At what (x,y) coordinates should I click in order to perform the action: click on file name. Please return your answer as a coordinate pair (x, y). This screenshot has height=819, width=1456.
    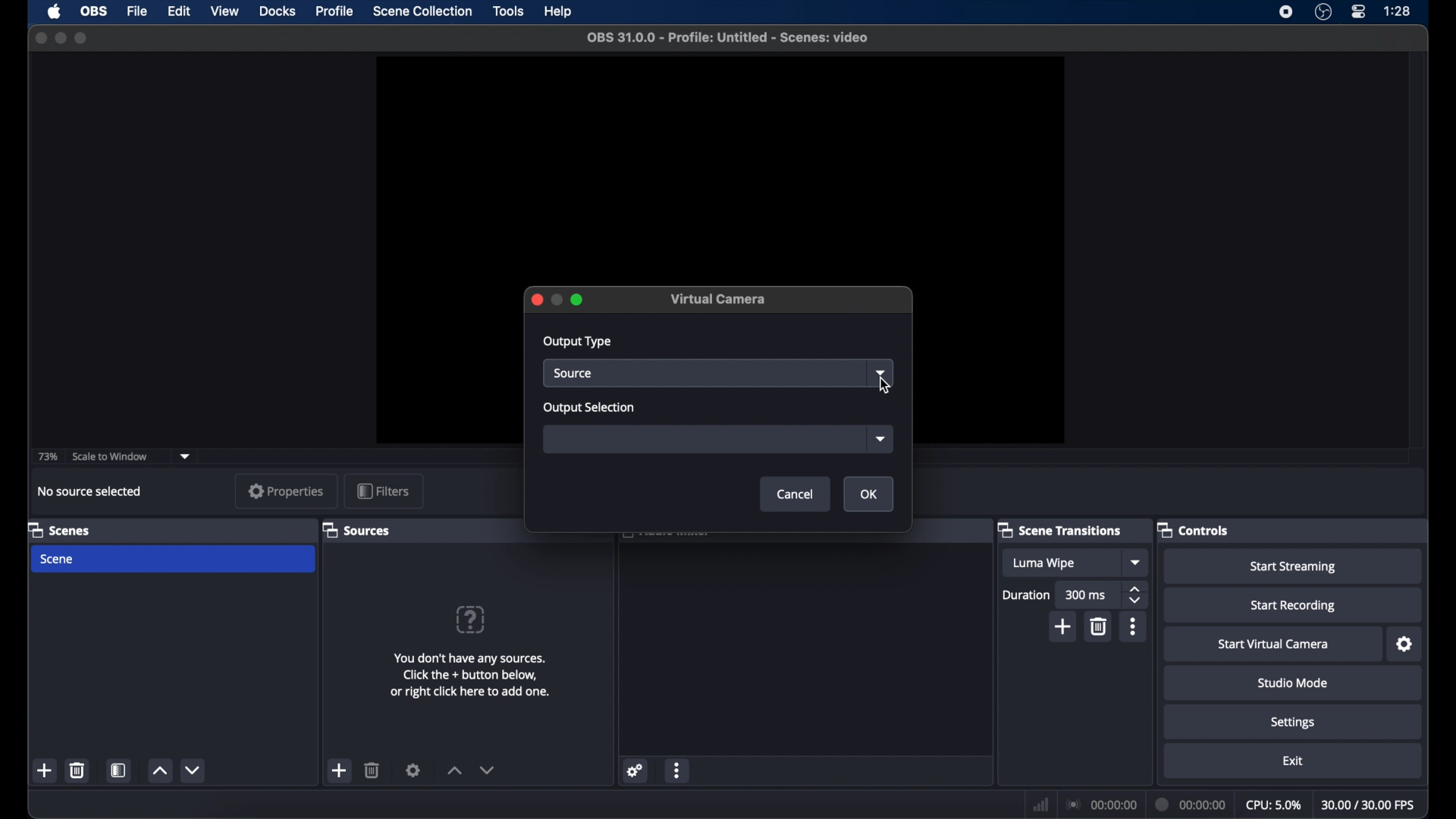
    Looking at the image, I should click on (728, 38).